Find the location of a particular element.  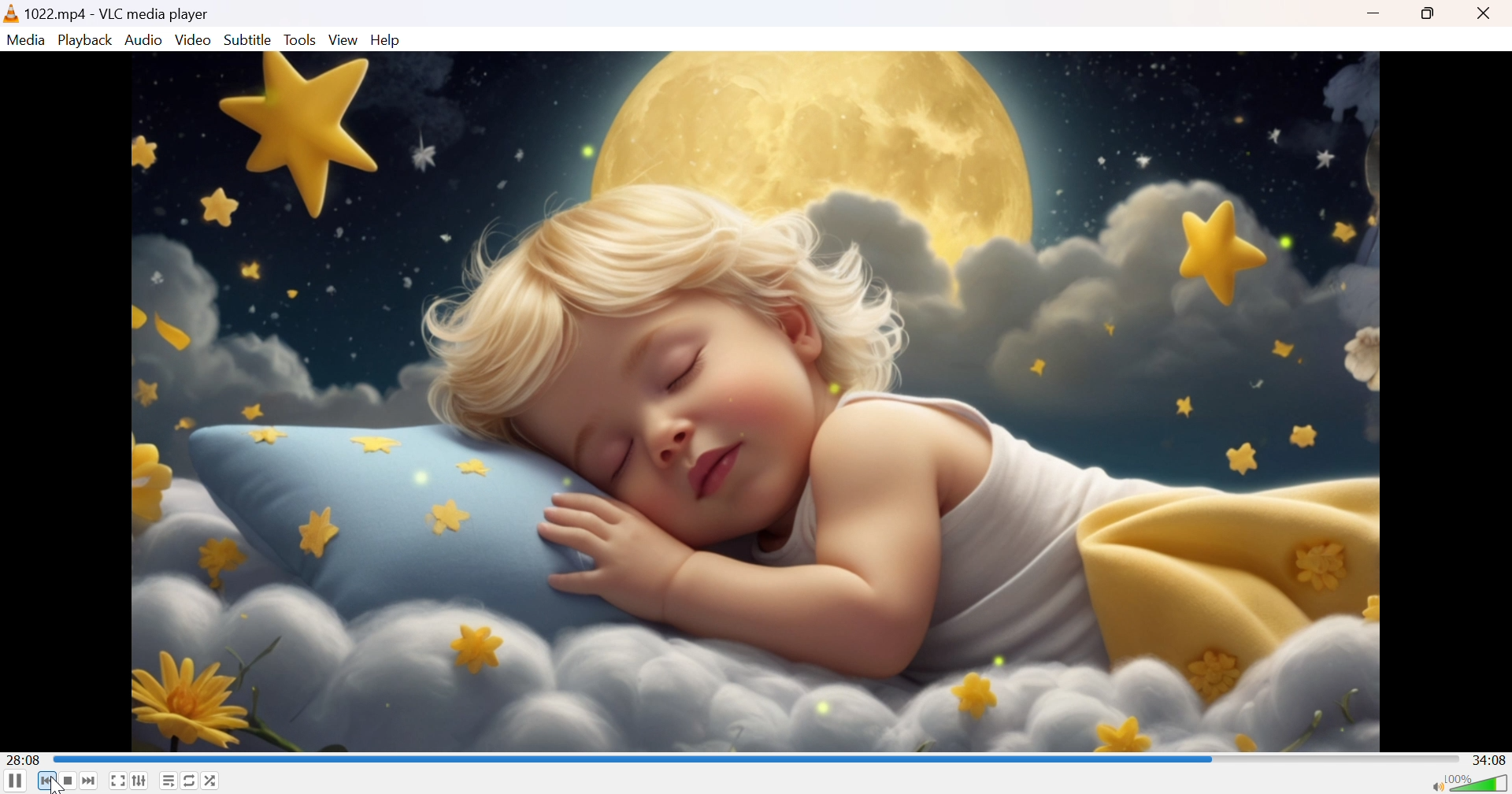

Video is located at coordinates (193, 40).